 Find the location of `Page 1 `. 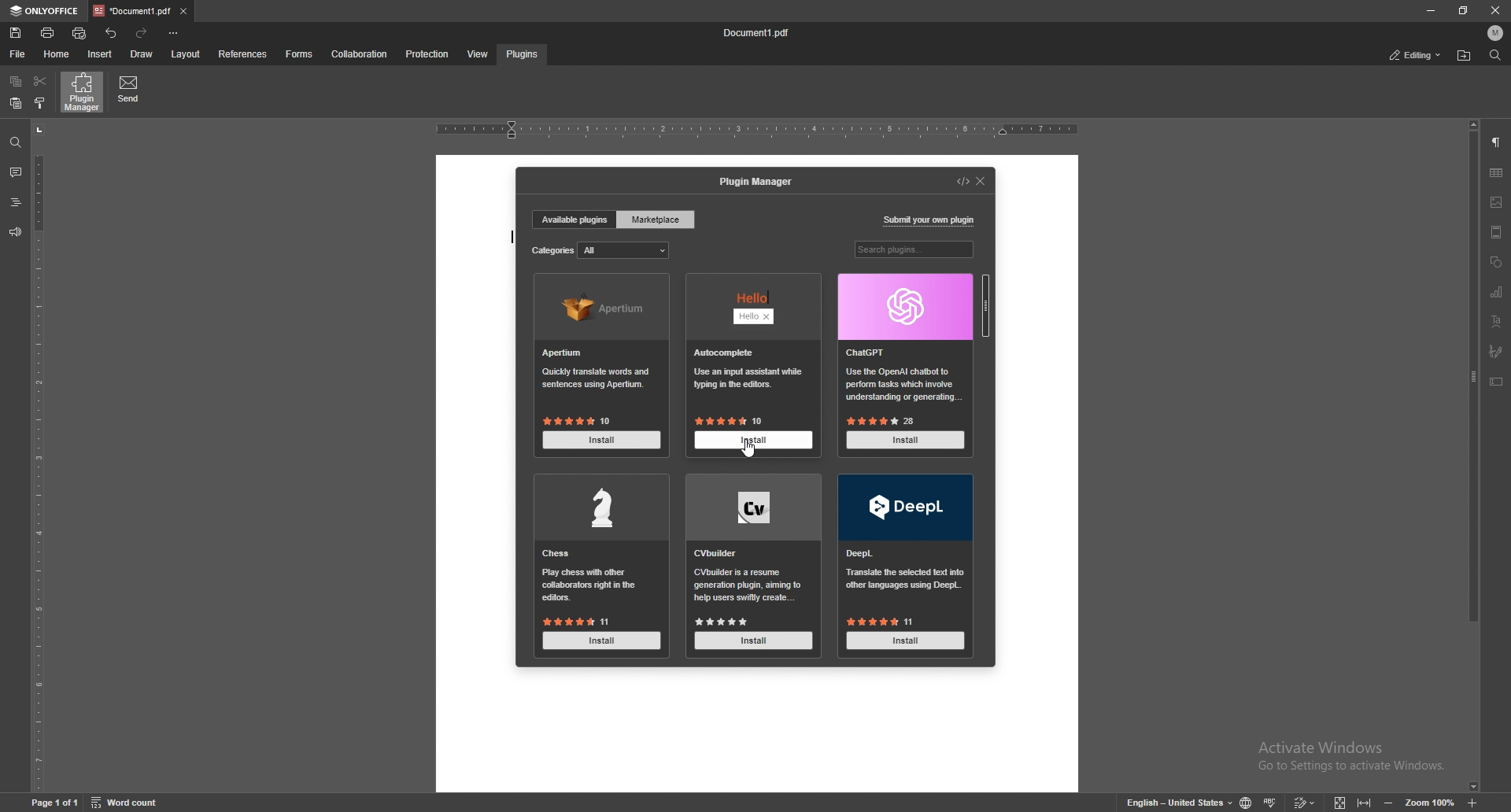

Page 1  is located at coordinates (46, 802).